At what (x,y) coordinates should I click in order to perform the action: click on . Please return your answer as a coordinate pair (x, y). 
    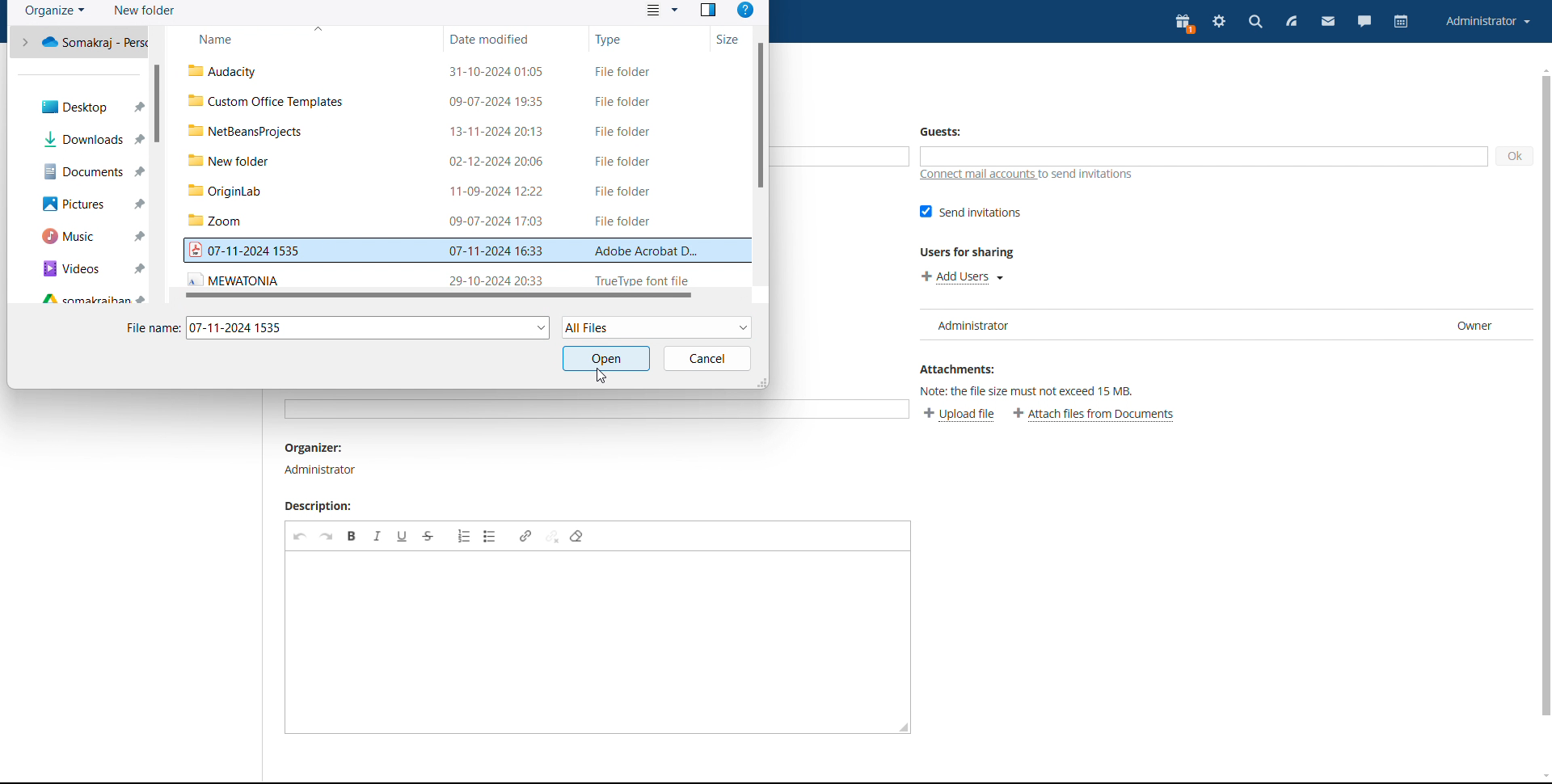
    Looking at the image, I should click on (89, 171).